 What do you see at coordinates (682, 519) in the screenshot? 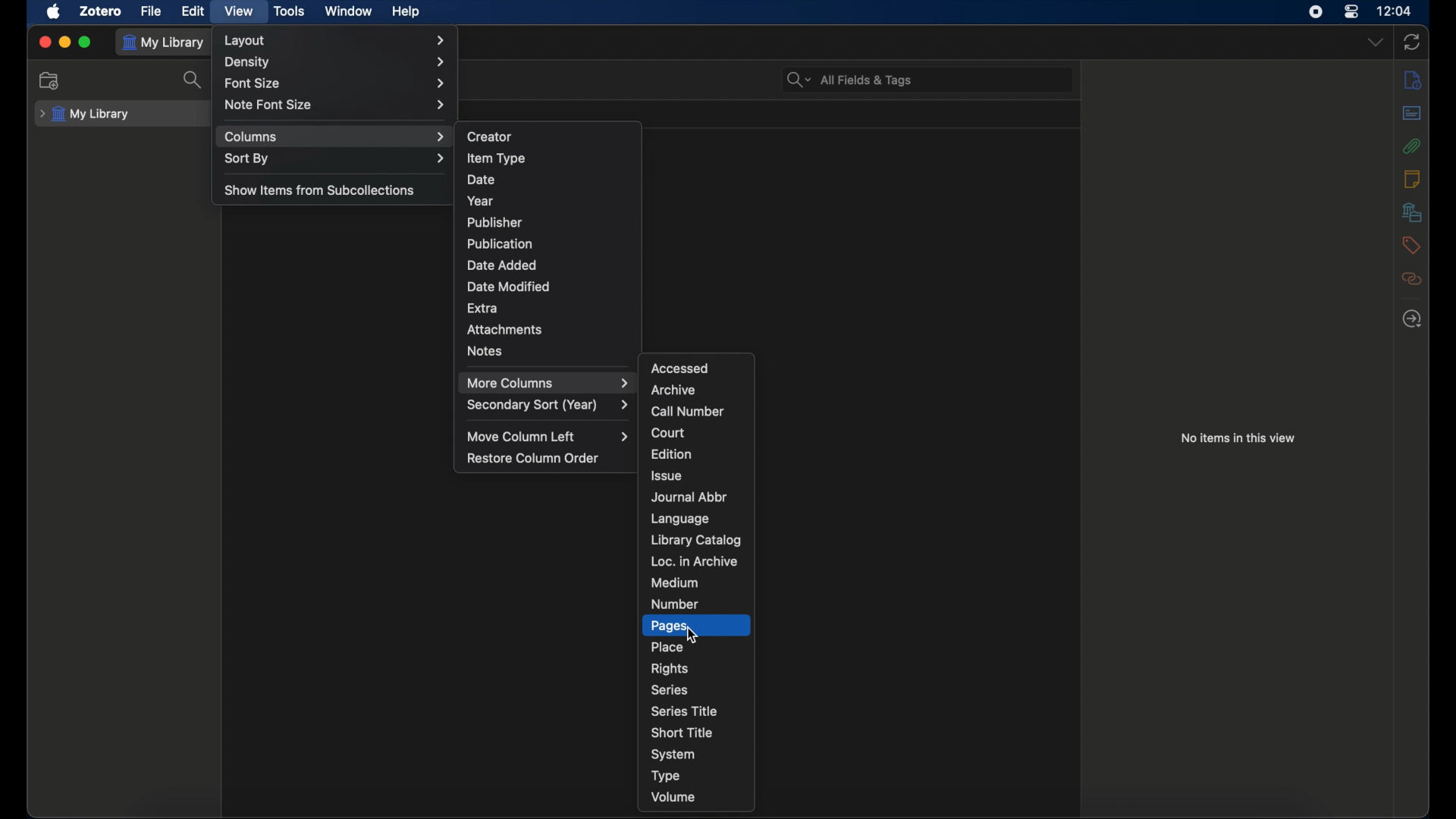
I see `language` at bounding box center [682, 519].